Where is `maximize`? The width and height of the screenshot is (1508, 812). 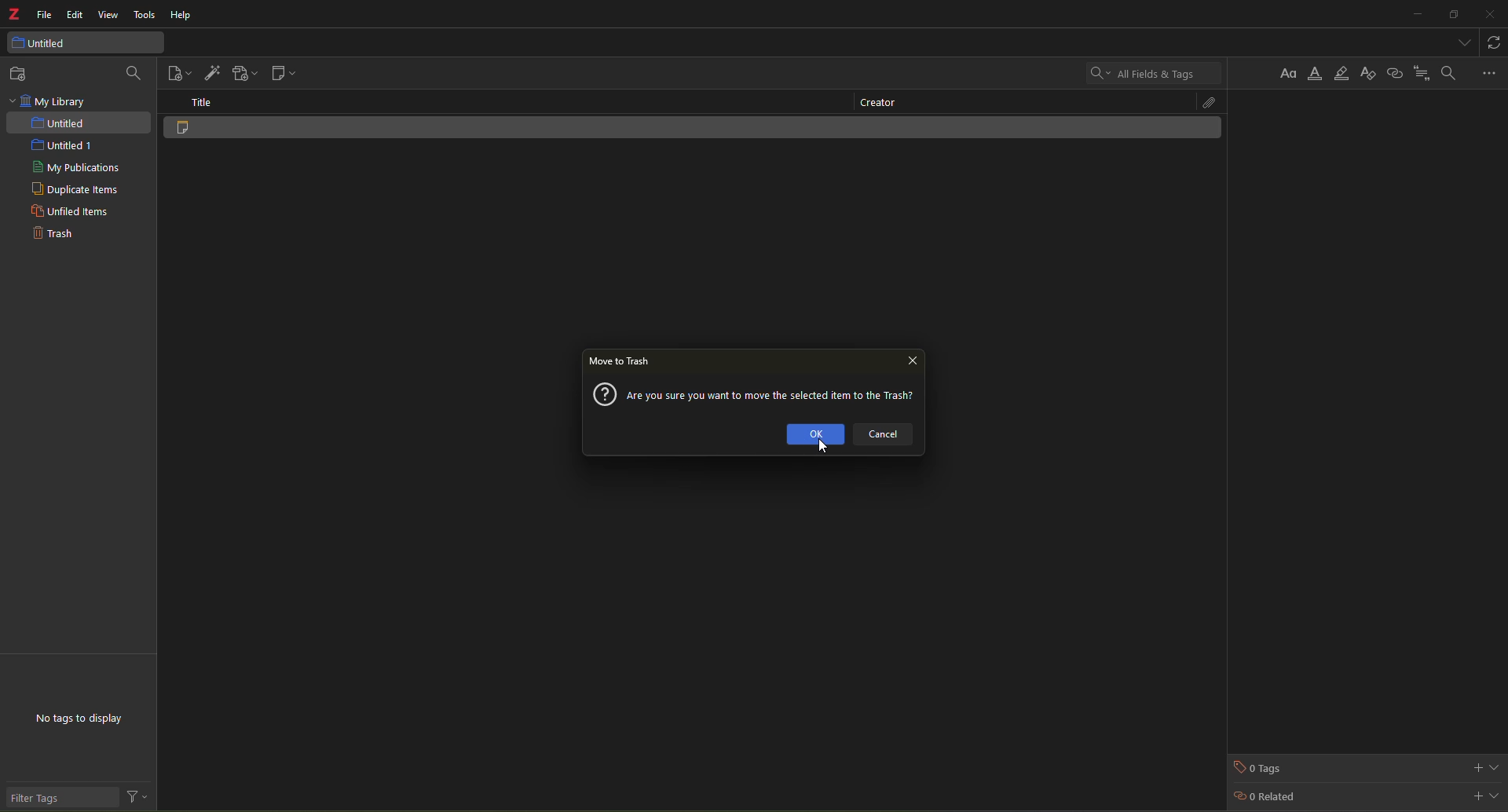
maximize is located at coordinates (1451, 15).